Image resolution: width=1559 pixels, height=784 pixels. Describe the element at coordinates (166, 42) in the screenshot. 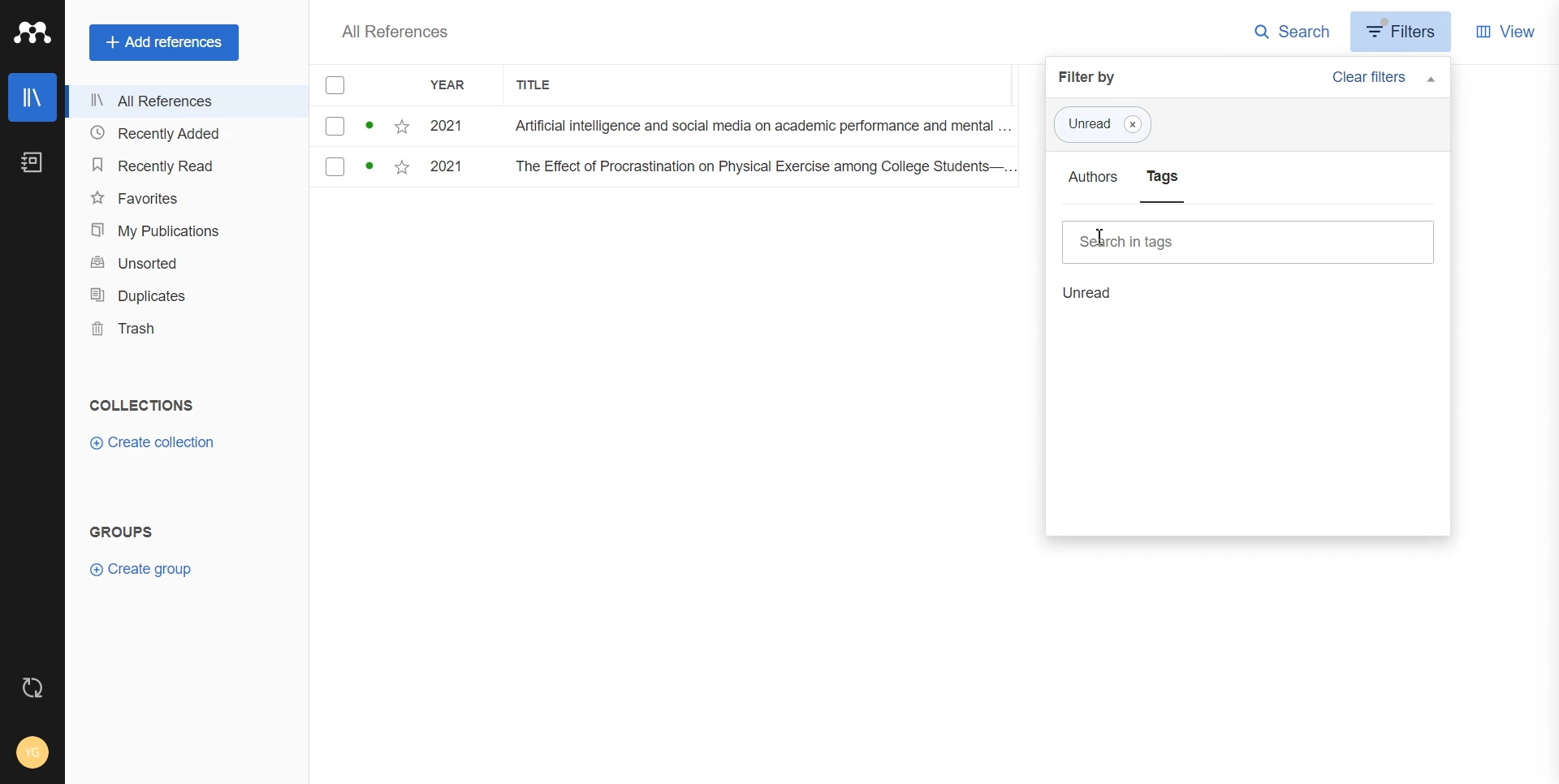

I see `Add references` at that location.